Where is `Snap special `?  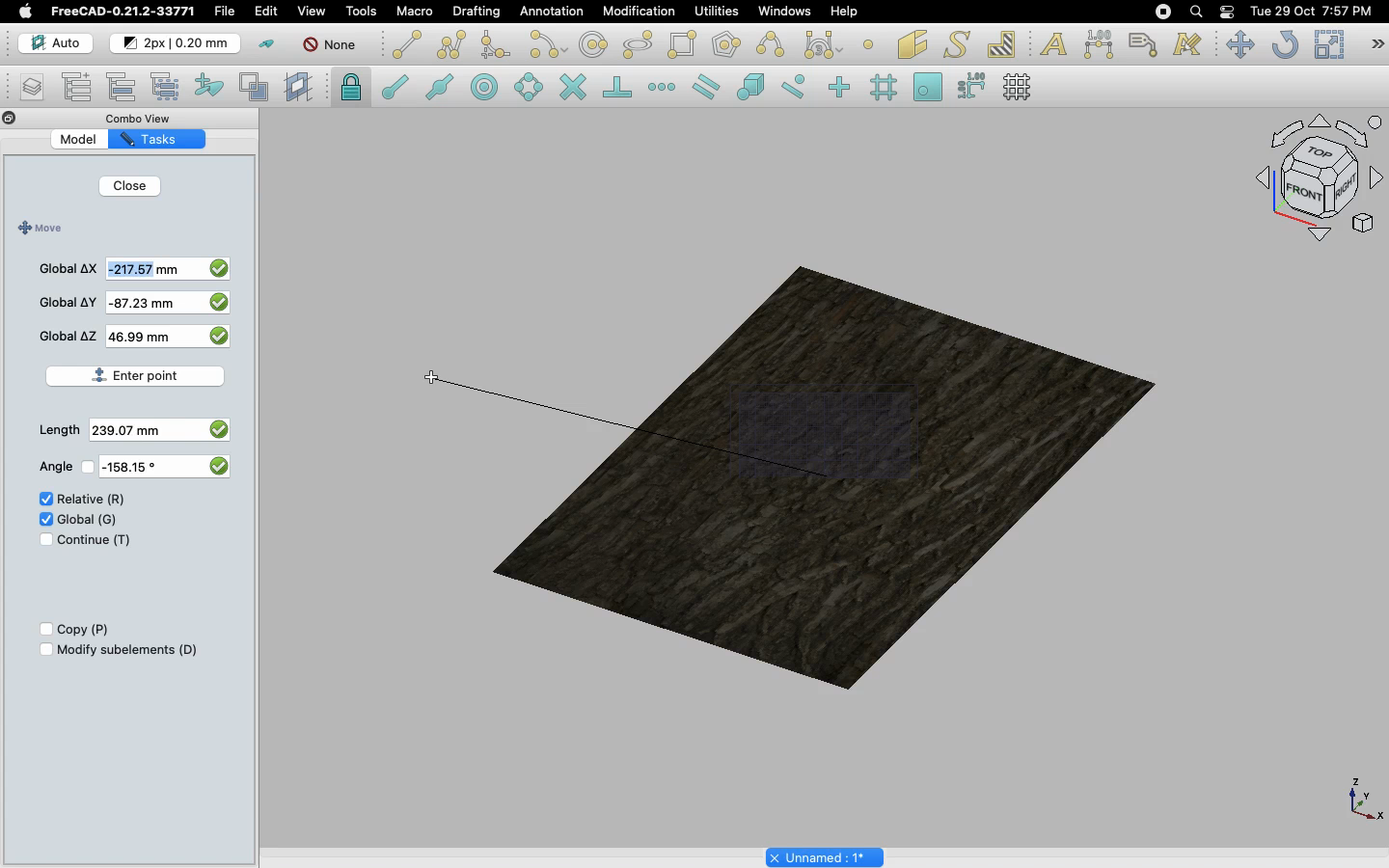 Snap special  is located at coordinates (754, 89).